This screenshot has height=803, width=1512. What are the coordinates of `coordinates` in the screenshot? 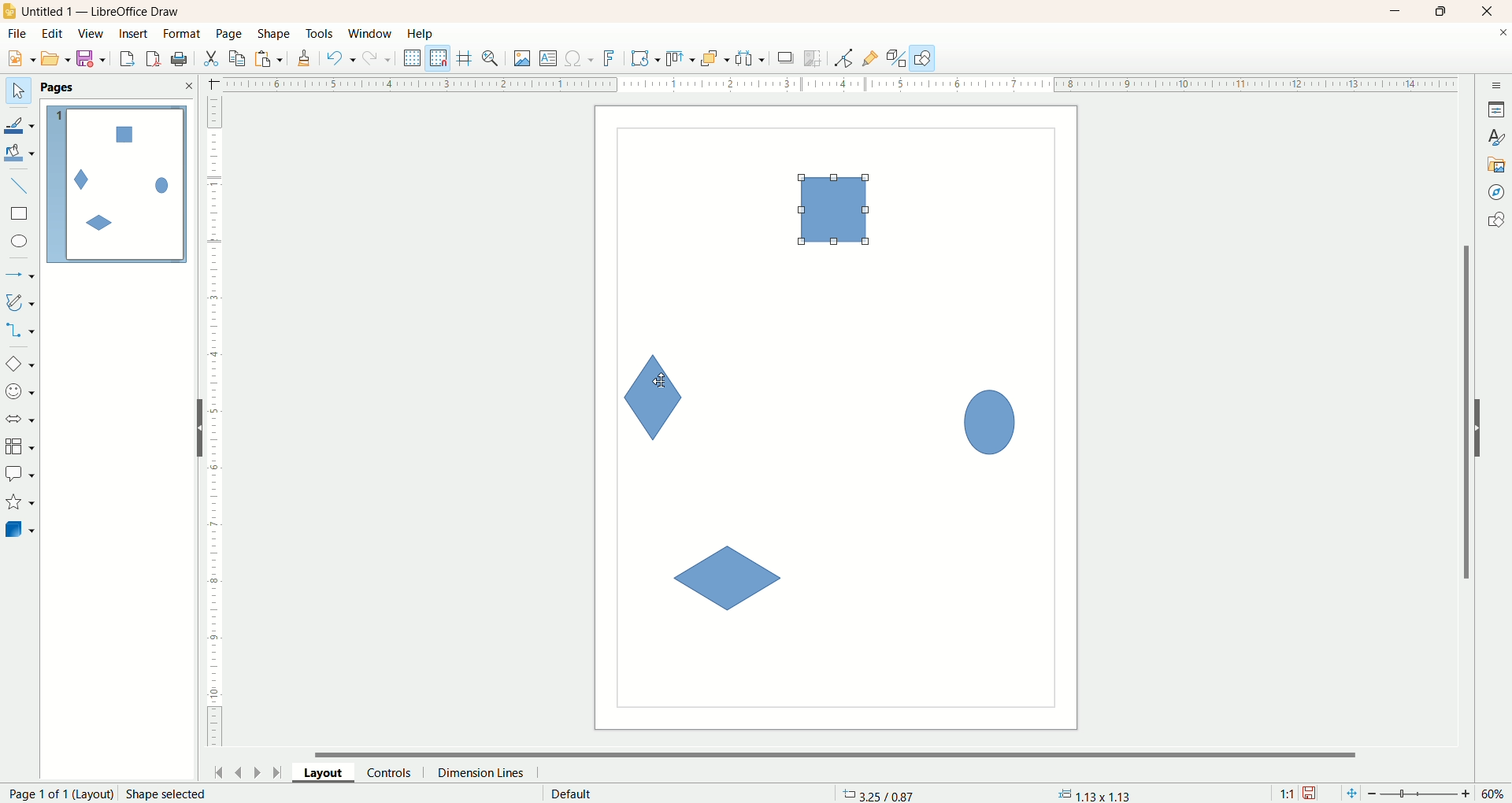 It's located at (880, 794).